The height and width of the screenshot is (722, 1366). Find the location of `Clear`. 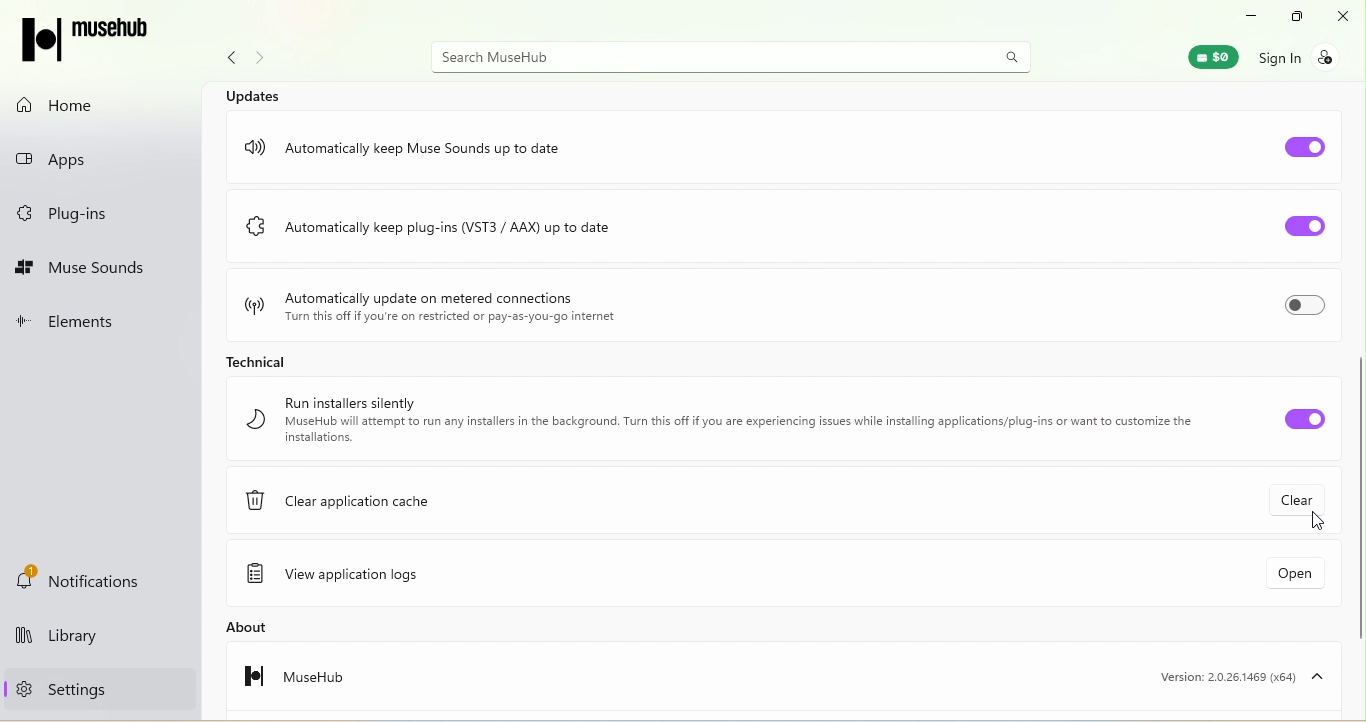

Clear is located at coordinates (1303, 497).